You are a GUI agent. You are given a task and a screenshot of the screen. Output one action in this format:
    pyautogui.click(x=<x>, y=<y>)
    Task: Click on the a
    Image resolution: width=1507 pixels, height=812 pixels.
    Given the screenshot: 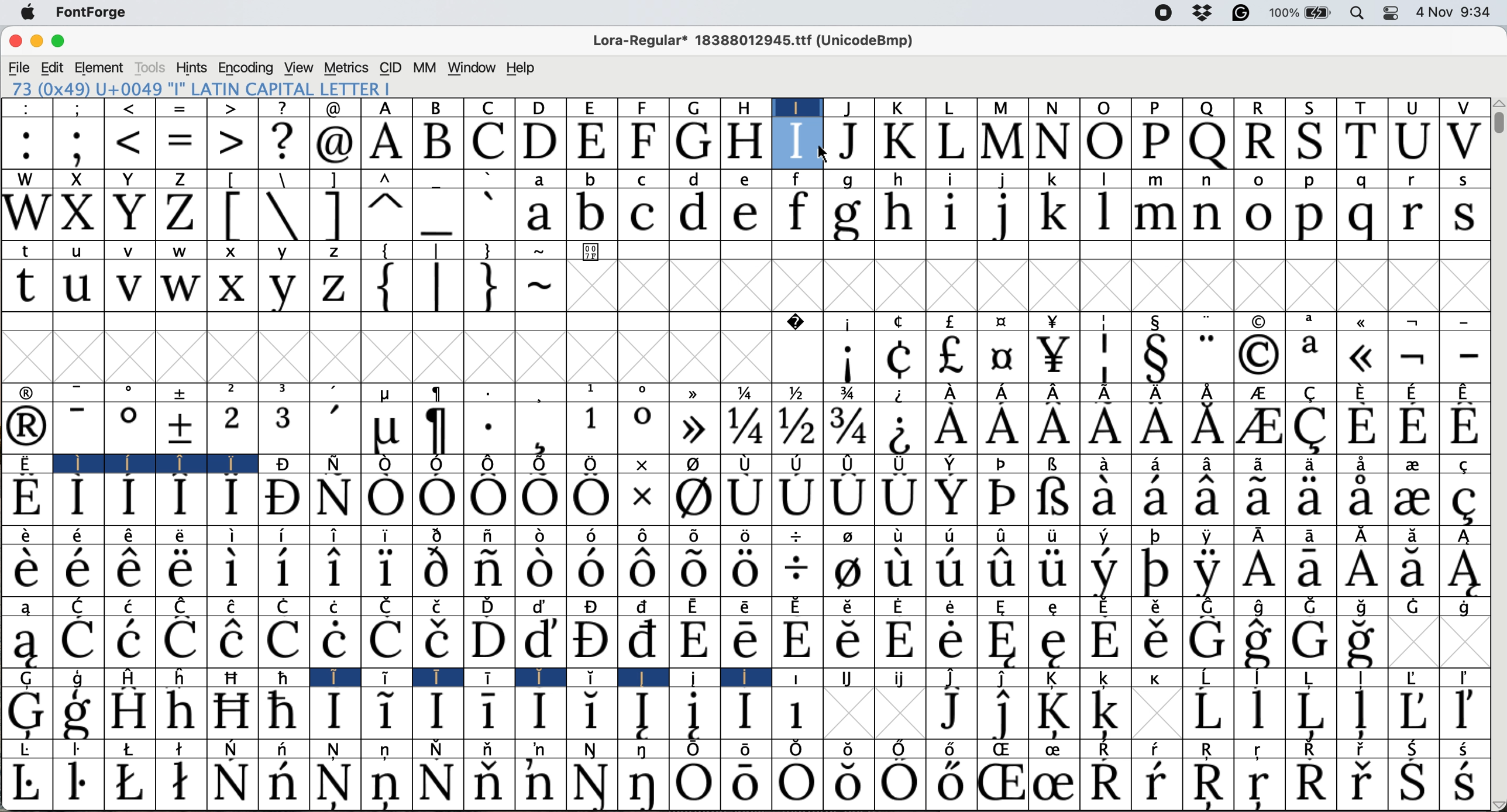 What is the action you would take?
    pyautogui.click(x=27, y=605)
    